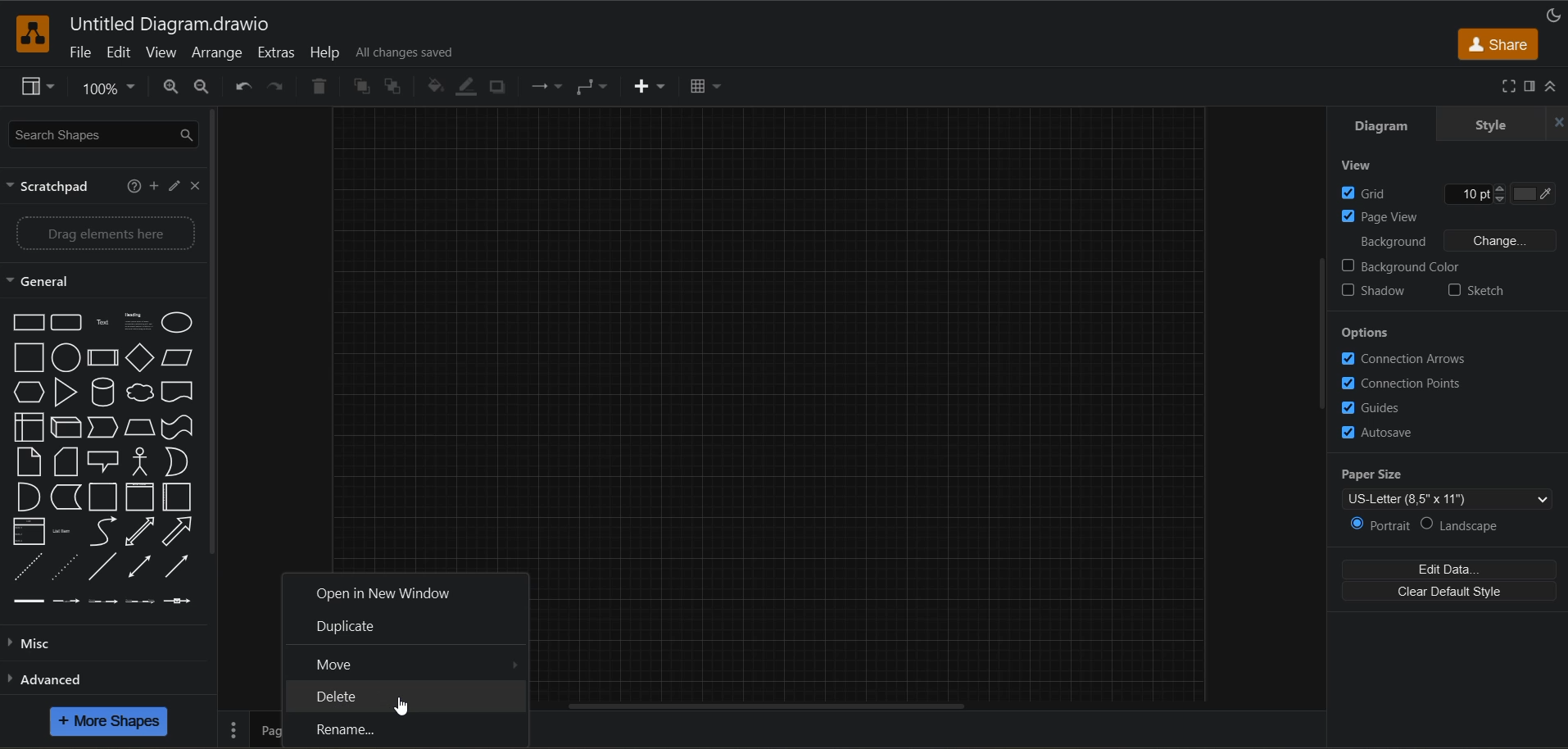 The width and height of the screenshot is (1568, 749). What do you see at coordinates (61, 683) in the screenshot?
I see `advanced` at bounding box center [61, 683].